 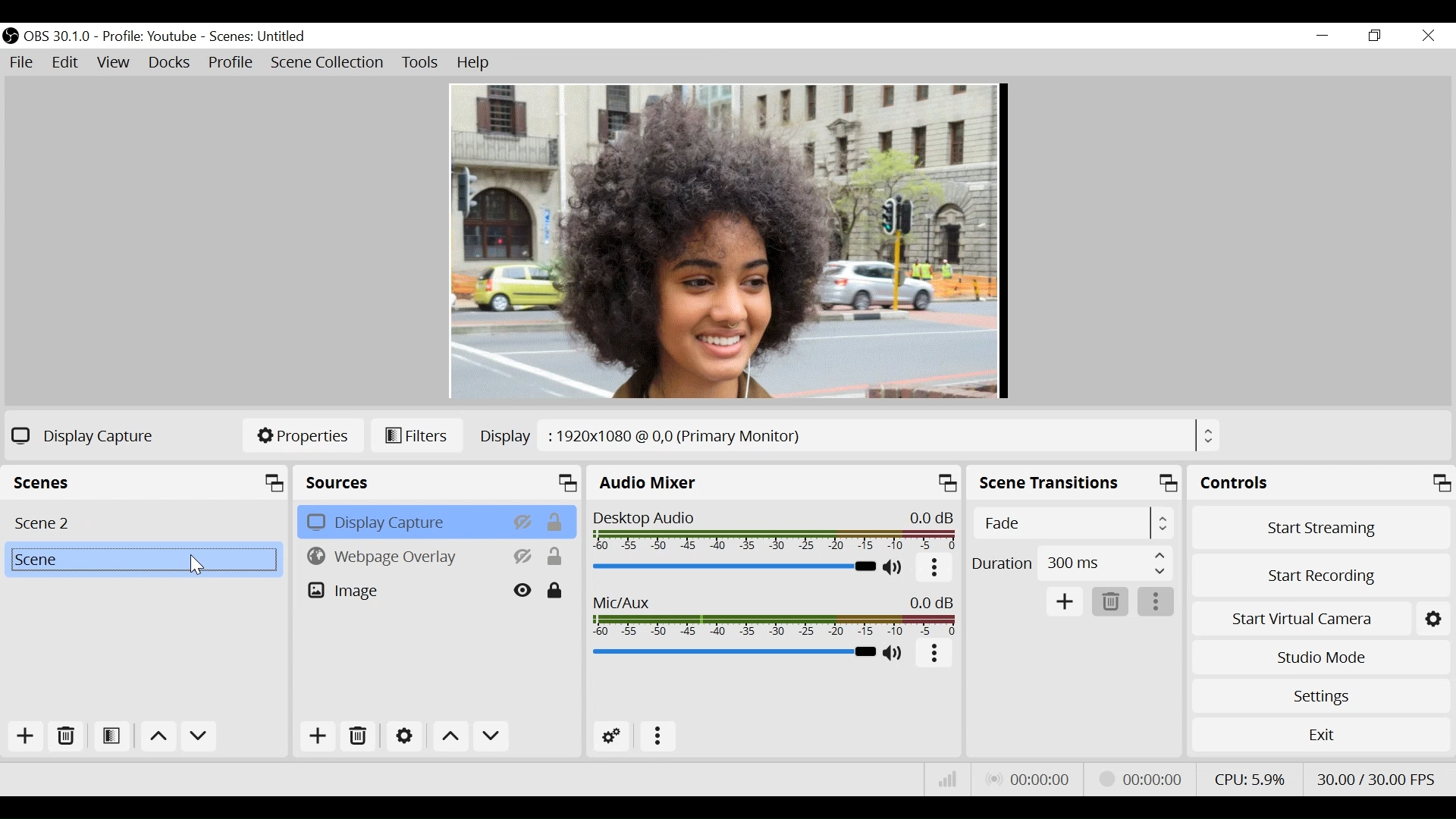 I want to click on Scene Name, so click(x=258, y=37).